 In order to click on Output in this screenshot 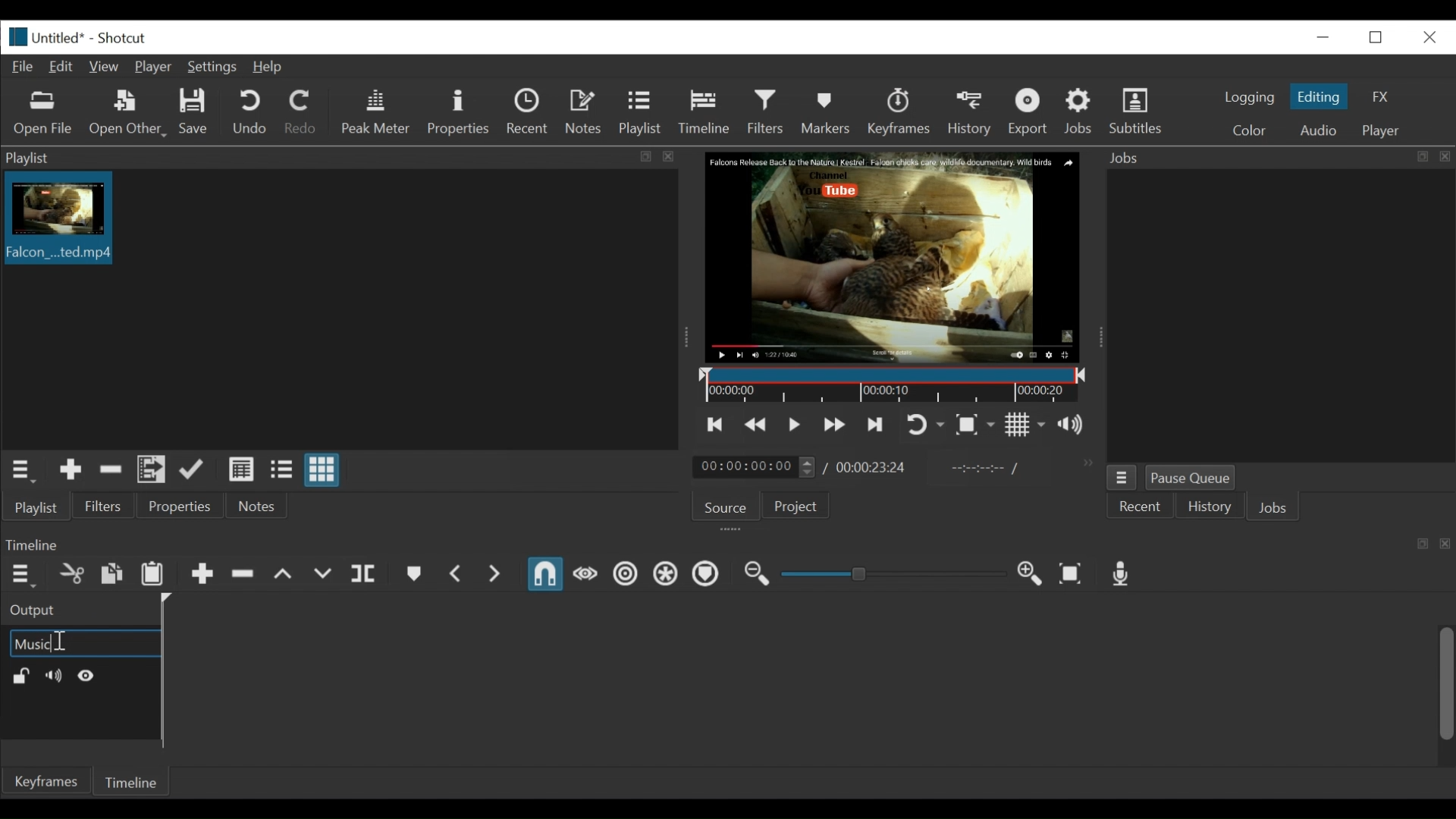, I will do `click(71, 610)`.